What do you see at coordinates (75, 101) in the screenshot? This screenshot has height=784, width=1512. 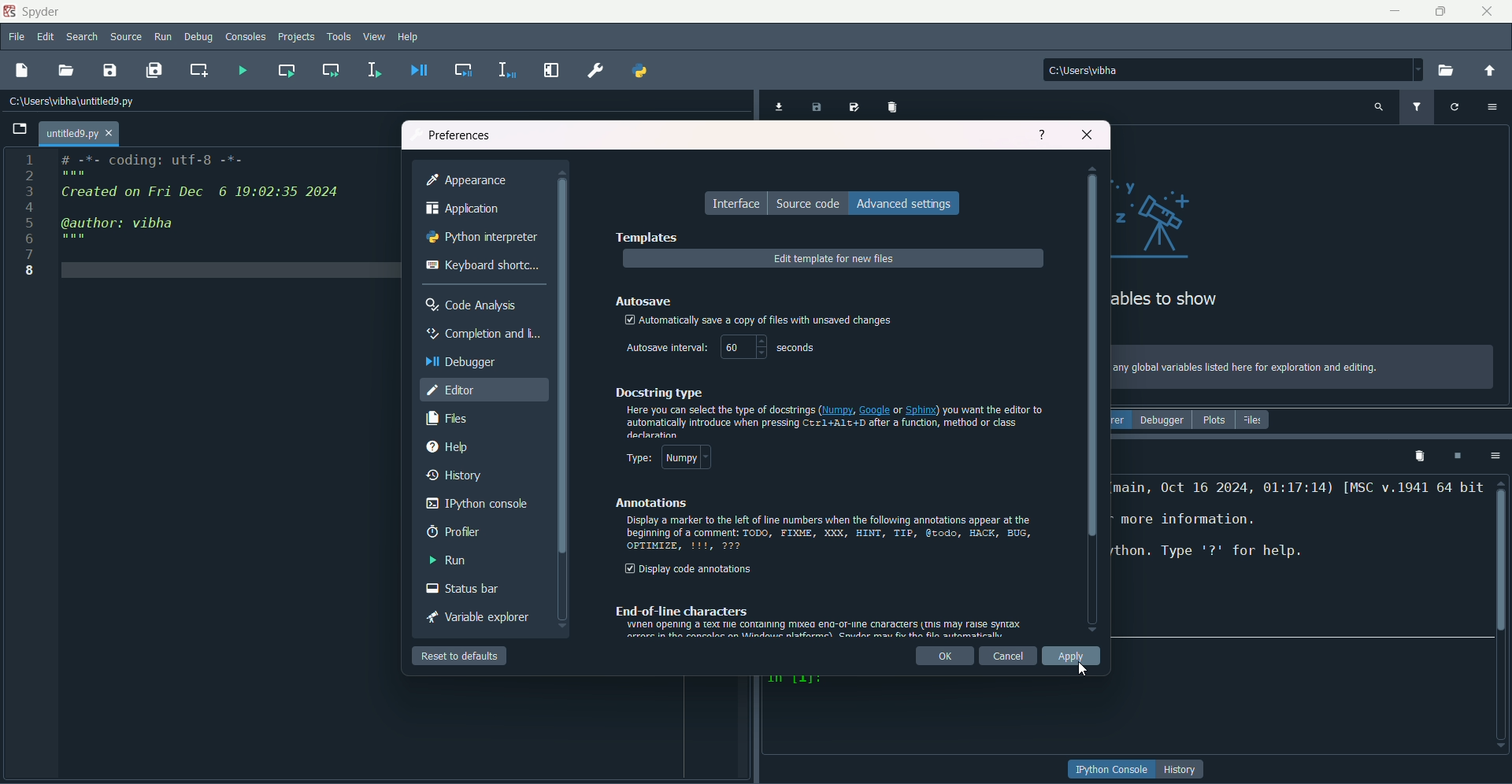 I see `File path` at bounding box center [75, 101].